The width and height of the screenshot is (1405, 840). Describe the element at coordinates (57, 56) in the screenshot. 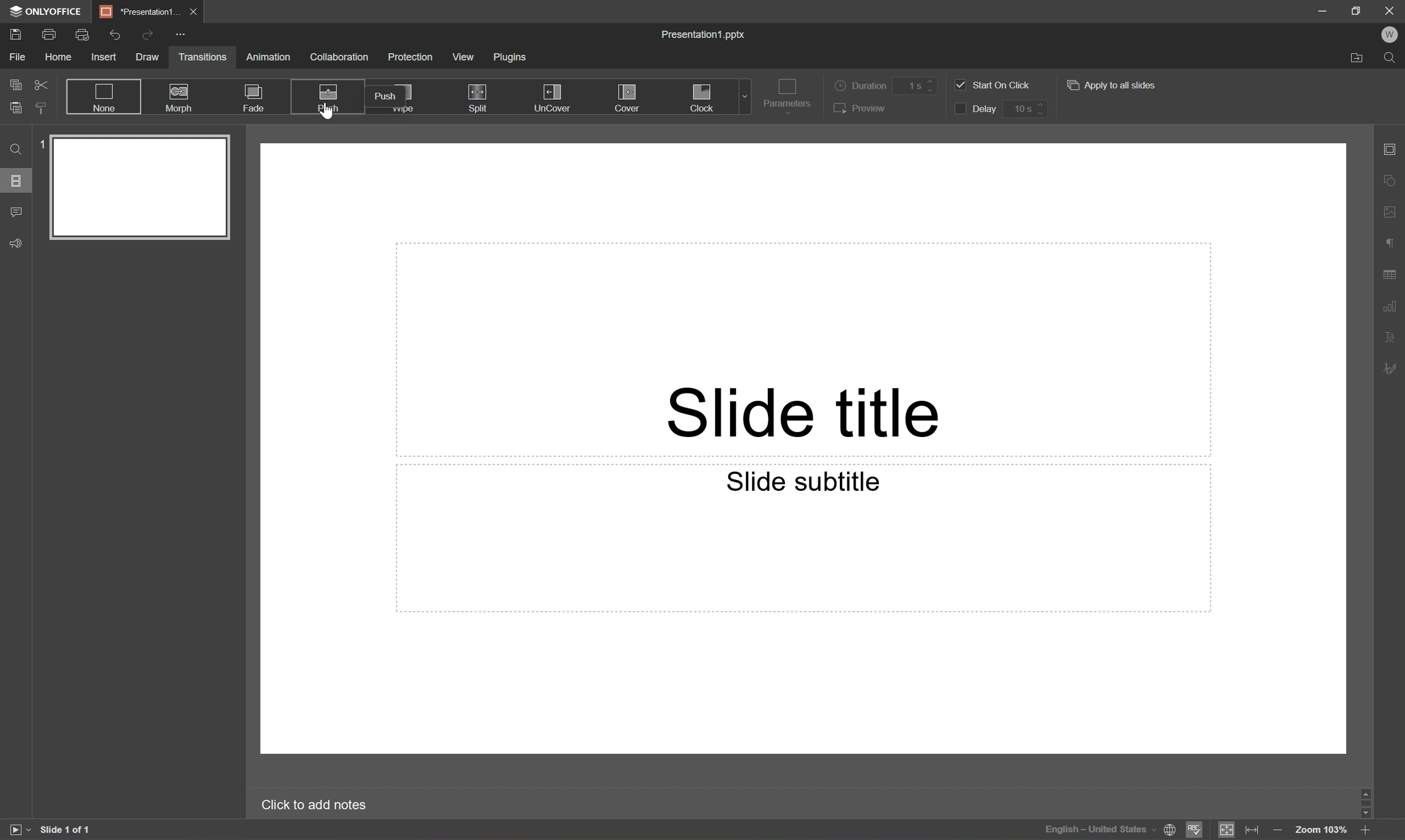

I see `Home` at that location.